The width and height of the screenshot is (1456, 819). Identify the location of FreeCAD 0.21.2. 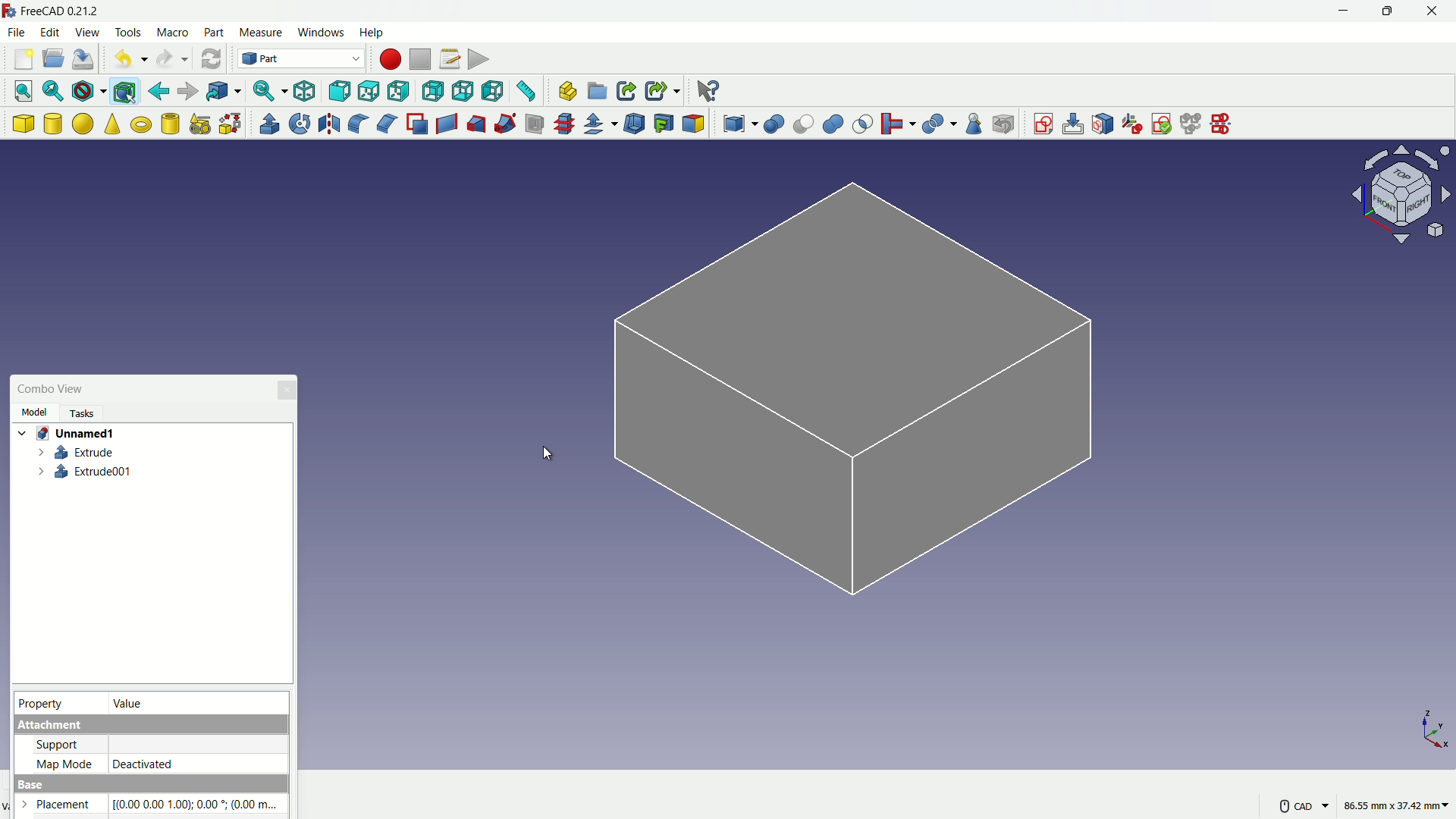
(63, 11).